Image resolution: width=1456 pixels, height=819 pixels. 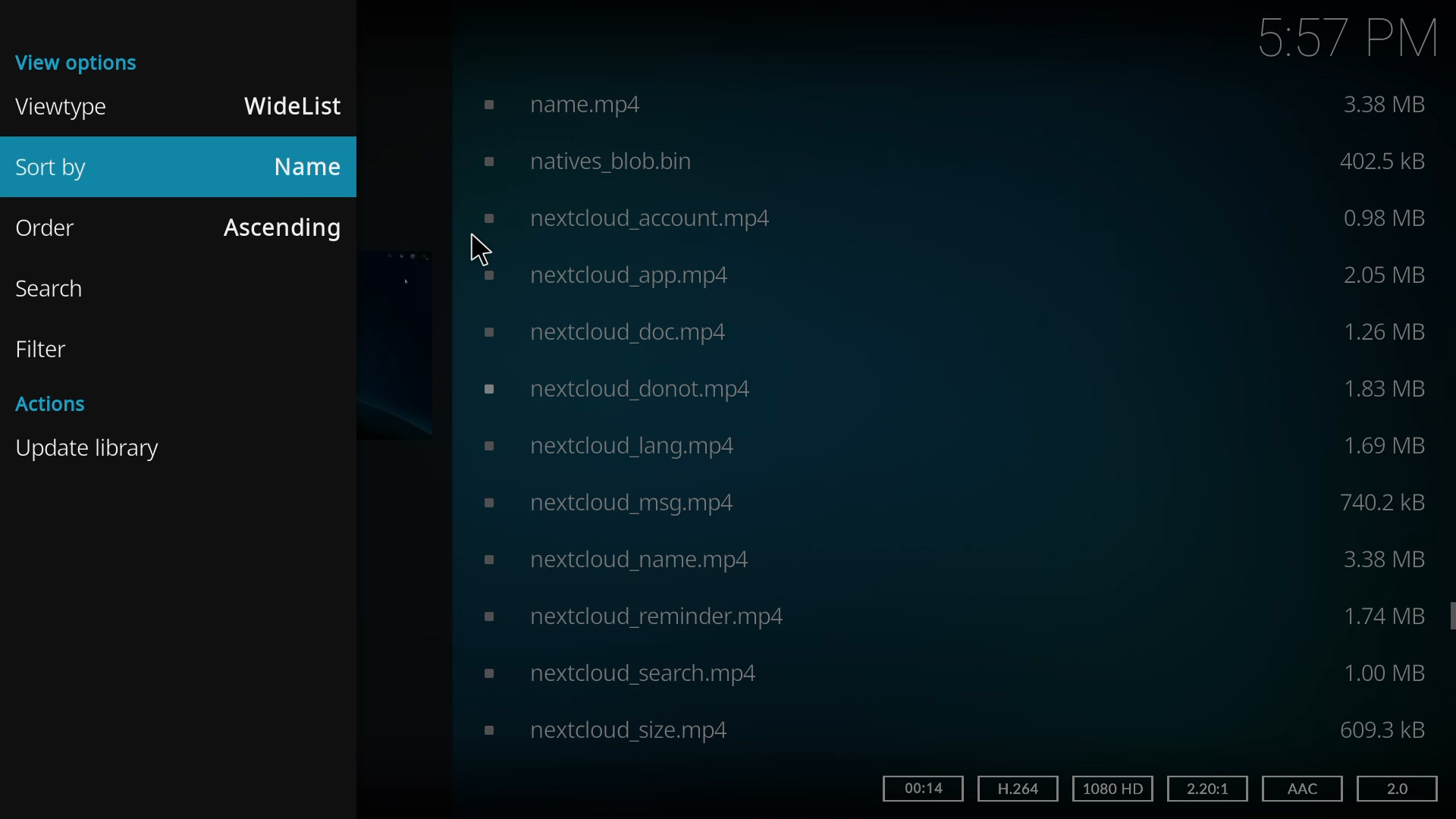 What do you see at coordinates (602, 276) in the screenshot?
I see `video` at bounding box center [602, 276].